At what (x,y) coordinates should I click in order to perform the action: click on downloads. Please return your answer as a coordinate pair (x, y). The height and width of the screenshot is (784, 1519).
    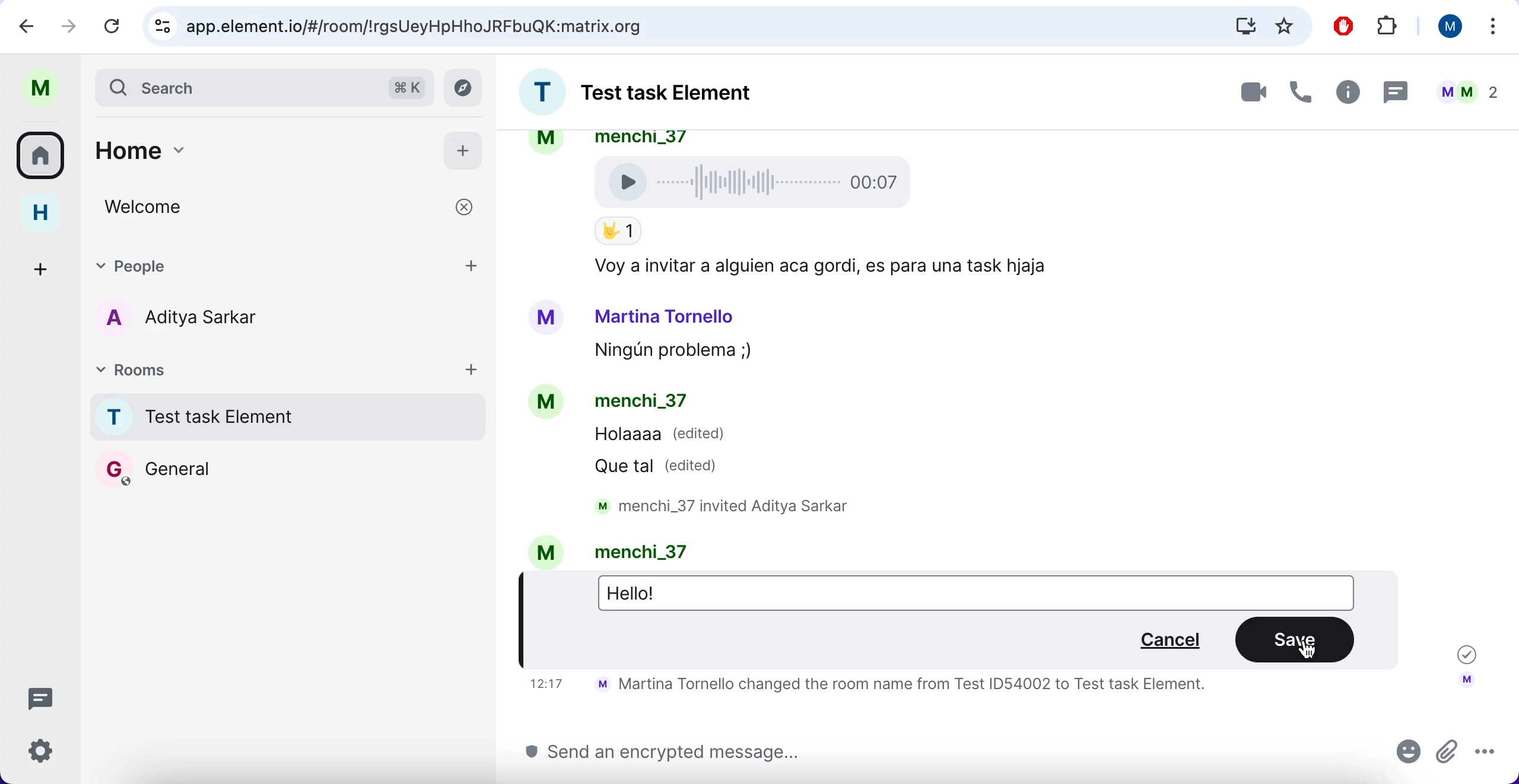
    Looking at the image, I should click on (1240, 27).